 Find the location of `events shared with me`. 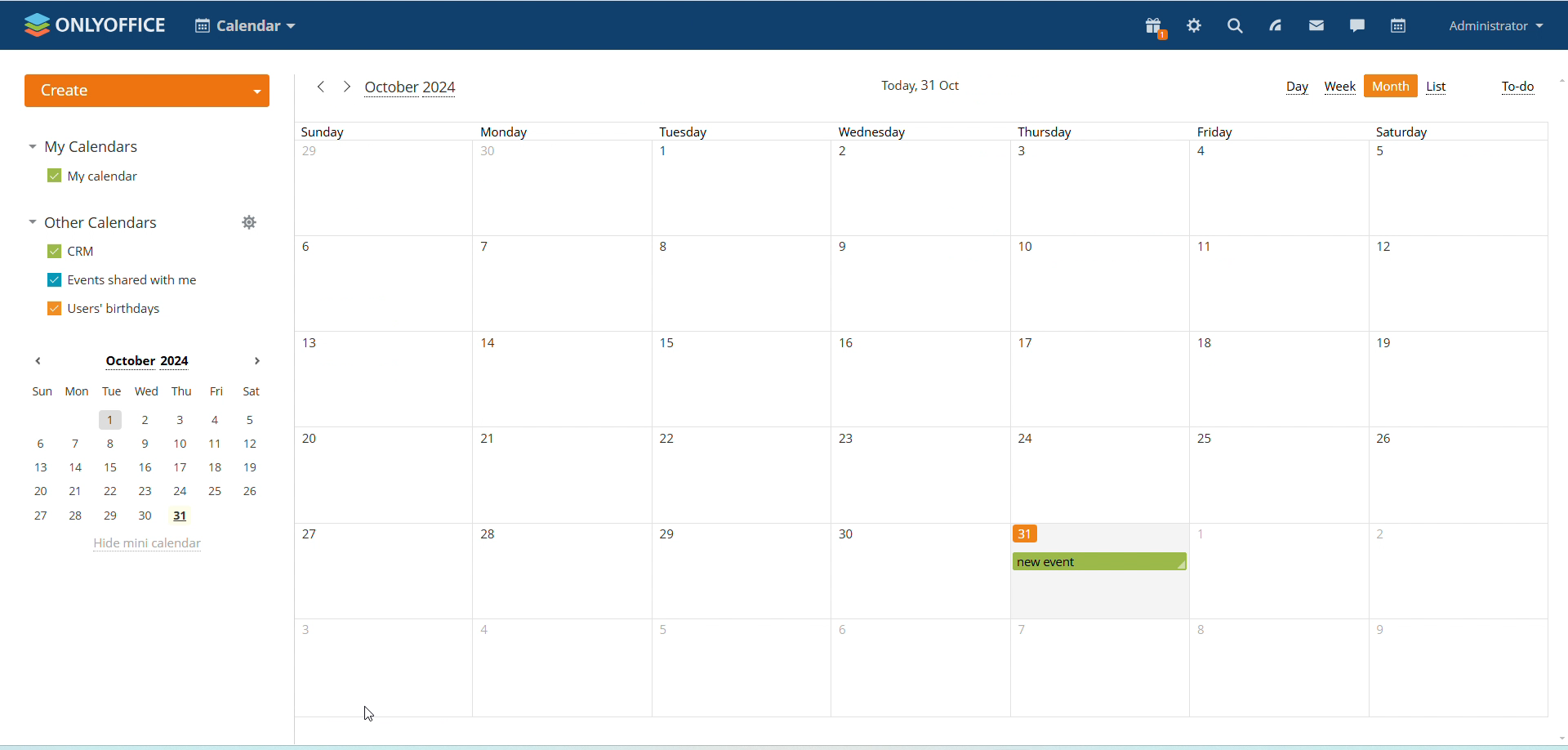

events shared with me is located at coordinates (126, 281).